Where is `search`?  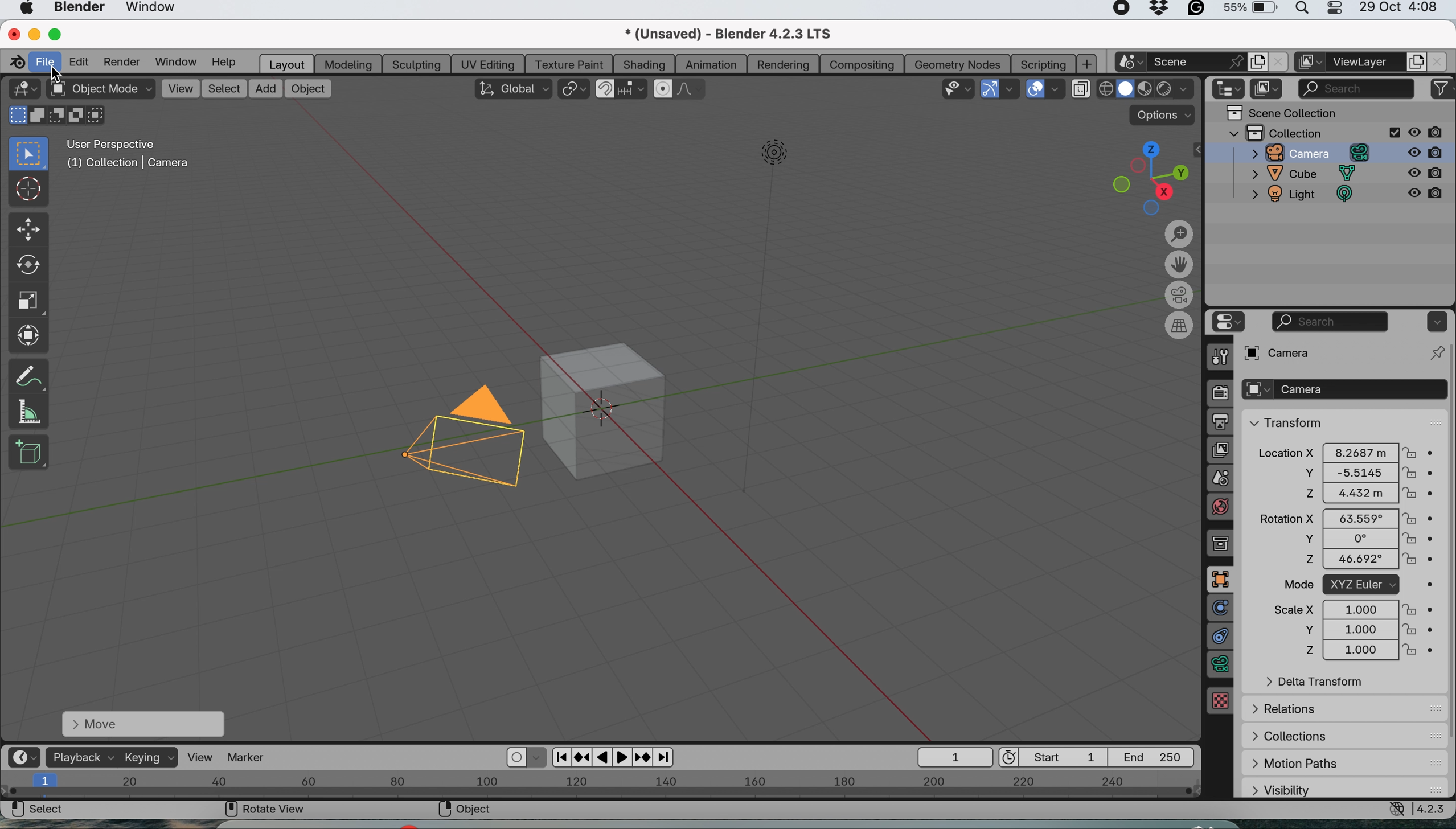
search is located at coordinates (1356, 87).